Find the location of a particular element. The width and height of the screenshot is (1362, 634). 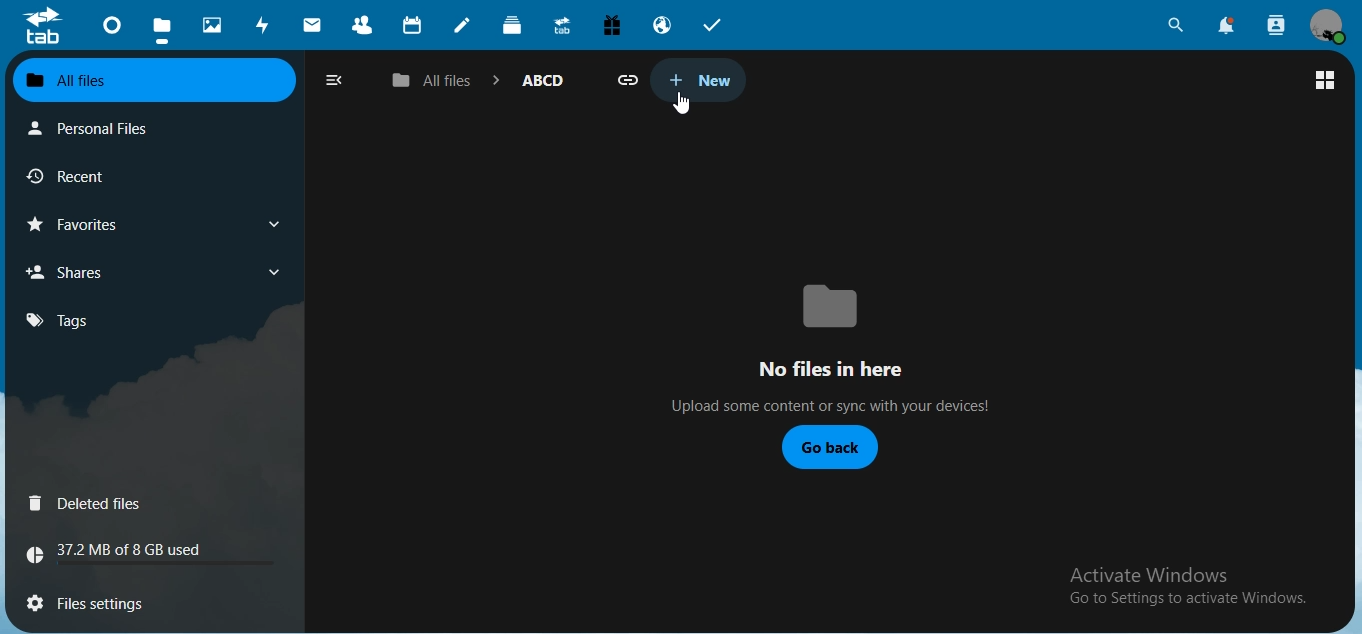

personal files is located at coordinates (98, 128).